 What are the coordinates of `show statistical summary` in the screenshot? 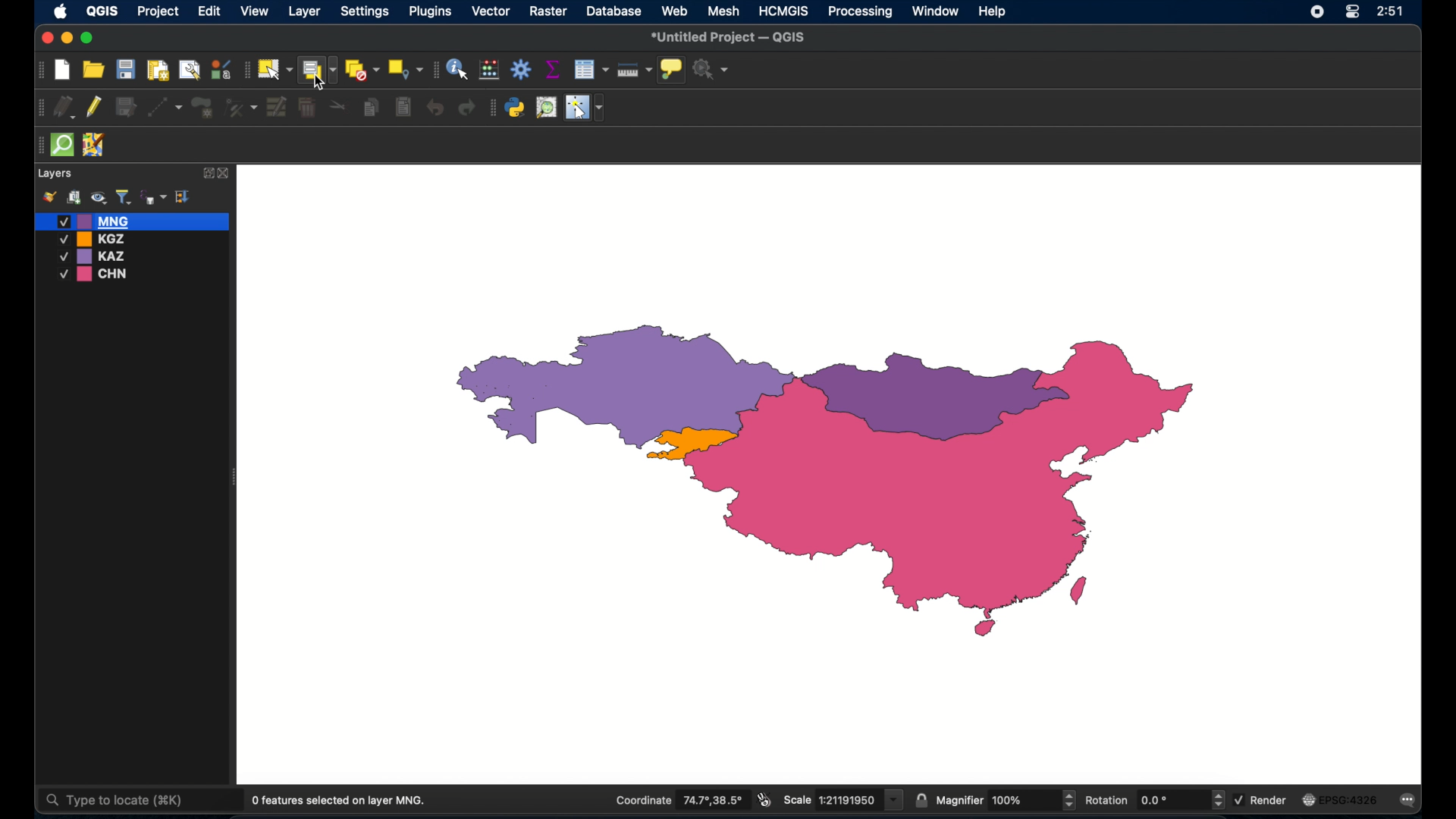 It's located at (552, 69).